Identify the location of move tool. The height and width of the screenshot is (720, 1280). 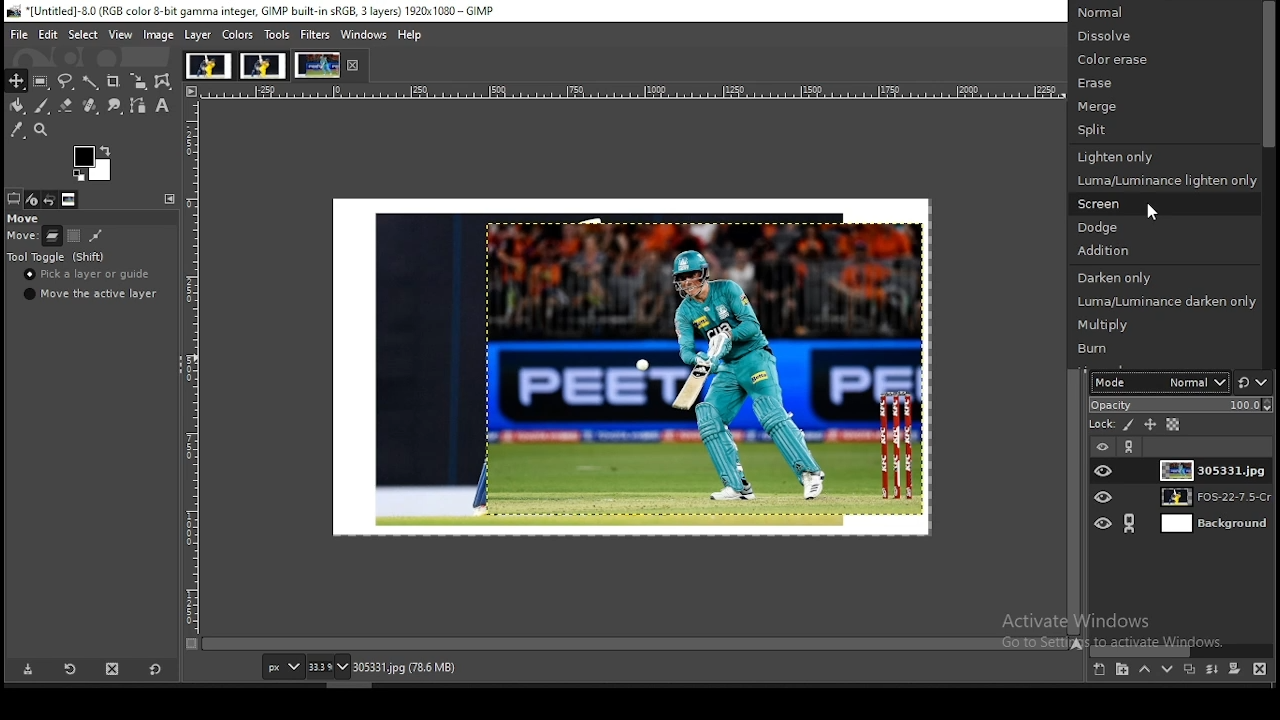
(17, 81).